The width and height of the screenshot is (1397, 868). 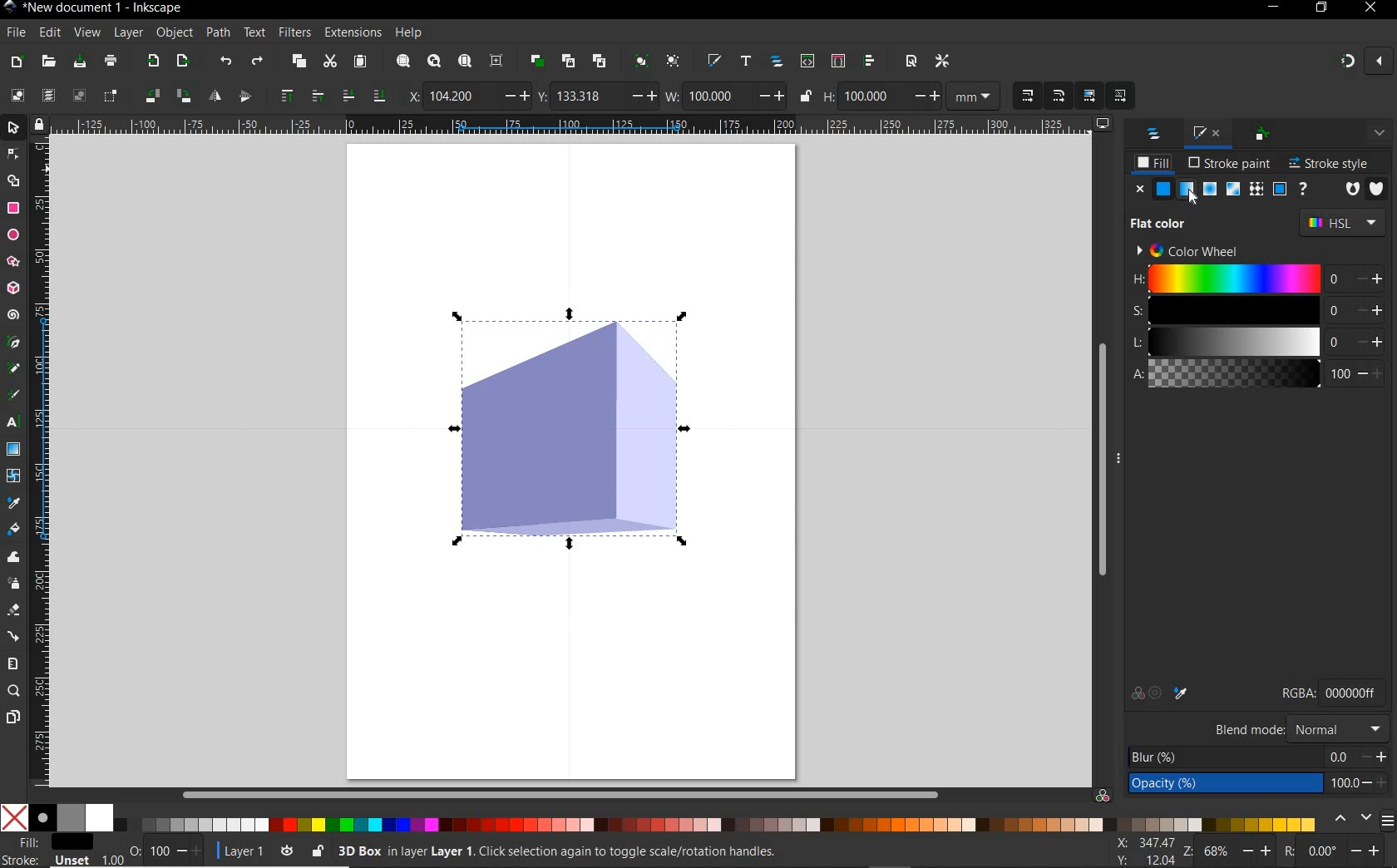 I want to click on WEIGHT OF SELECTION, so click(x=671, y=96).